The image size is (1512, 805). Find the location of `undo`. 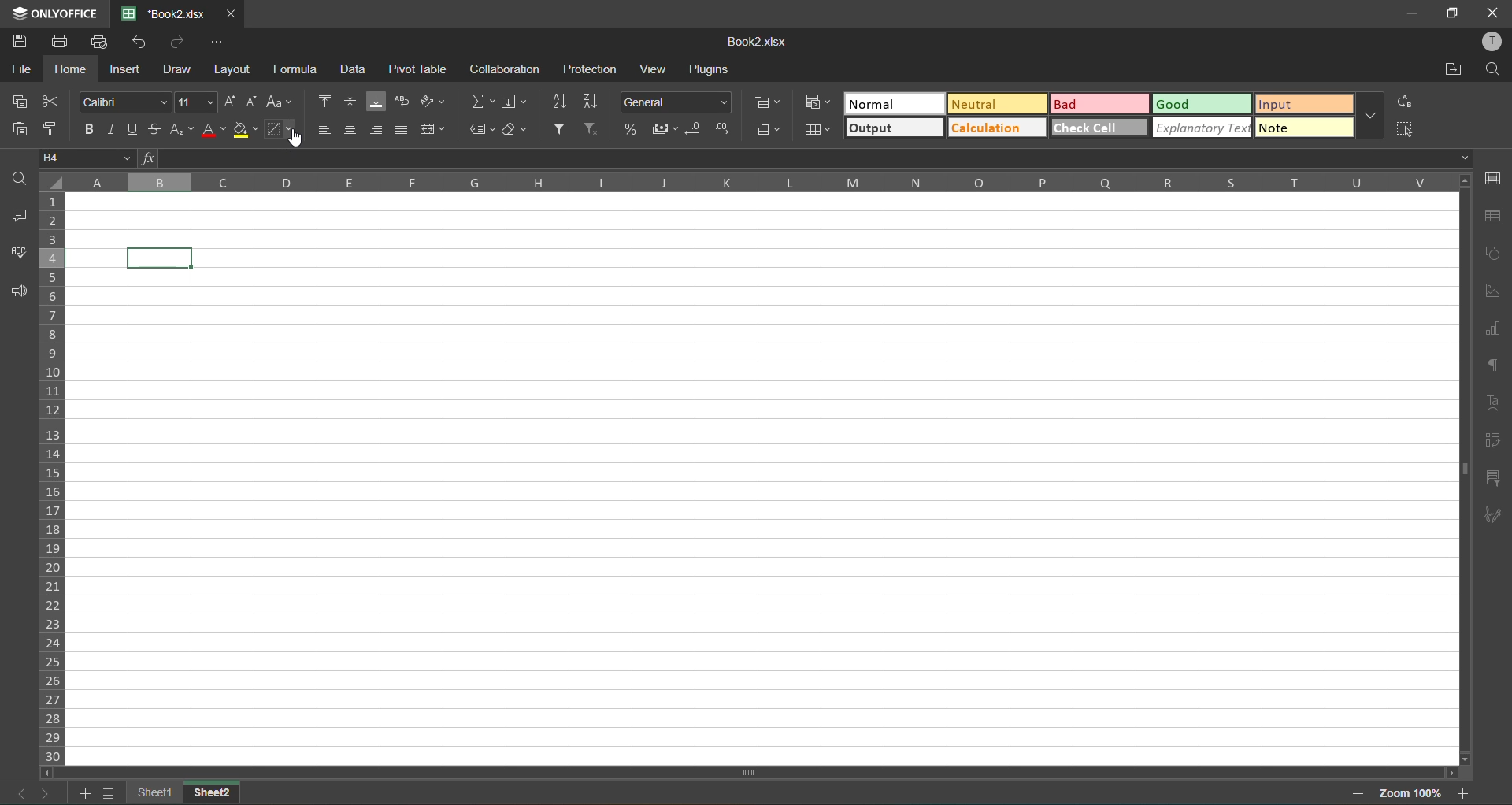

undo is located at coordinates (143, 43).